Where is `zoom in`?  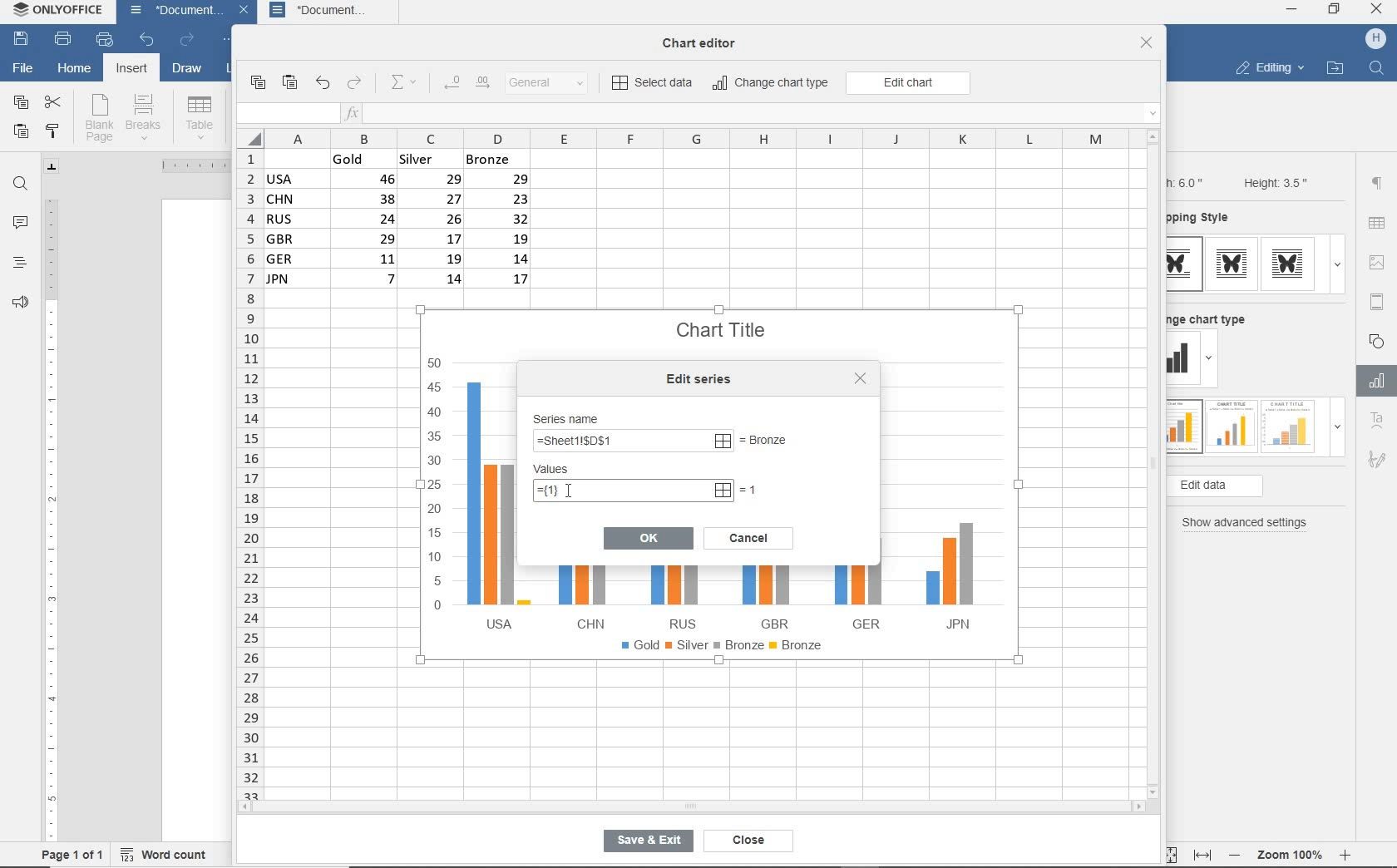 zoom in is located at coordinates (1346, 852).